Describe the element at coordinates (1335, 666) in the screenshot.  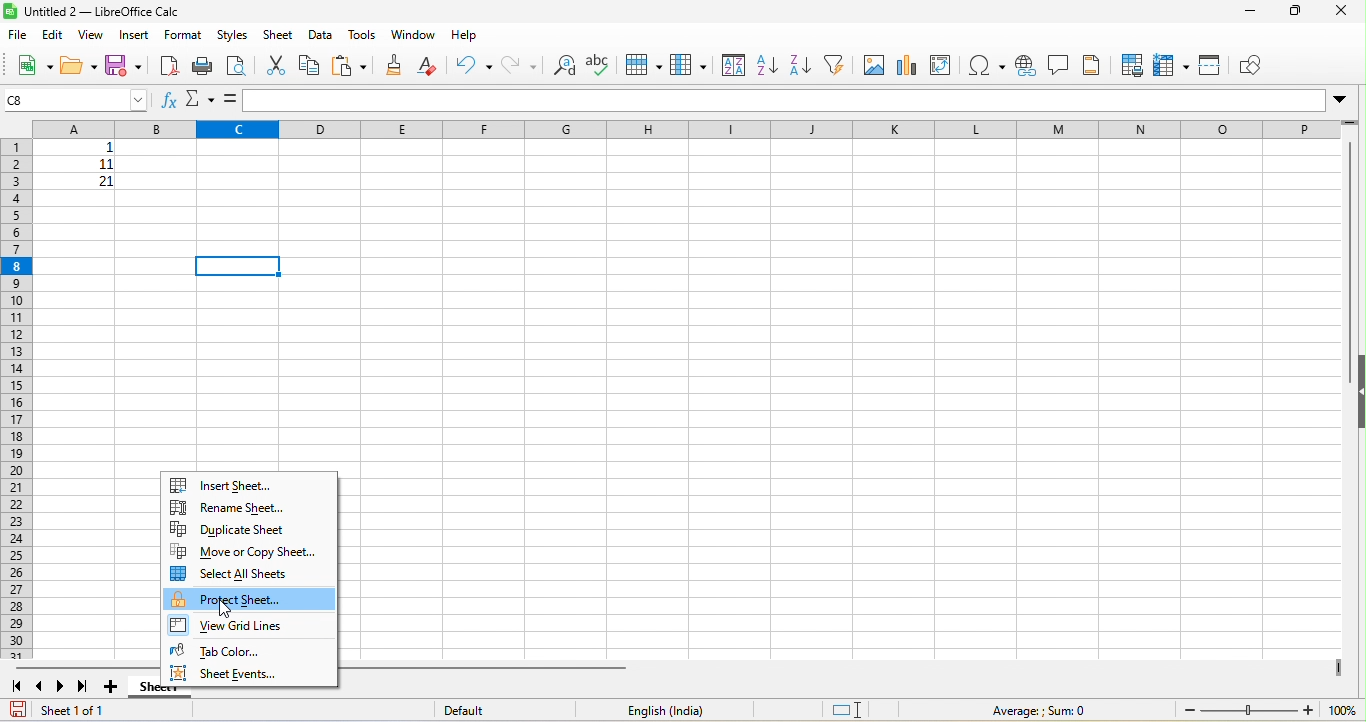
I see `drag to view more columns` at that location.